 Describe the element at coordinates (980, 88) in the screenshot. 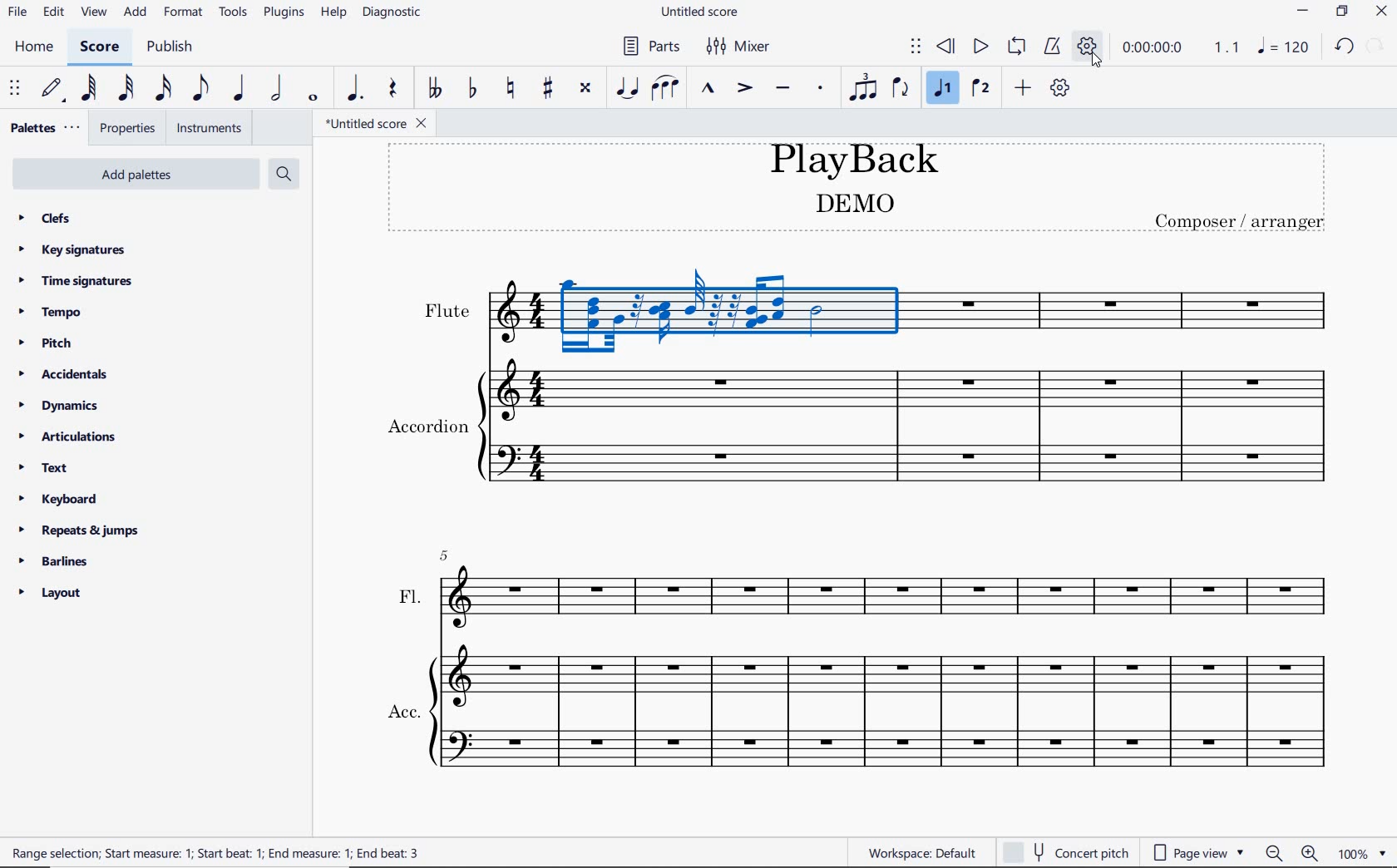

I see `voice 2` at that location.